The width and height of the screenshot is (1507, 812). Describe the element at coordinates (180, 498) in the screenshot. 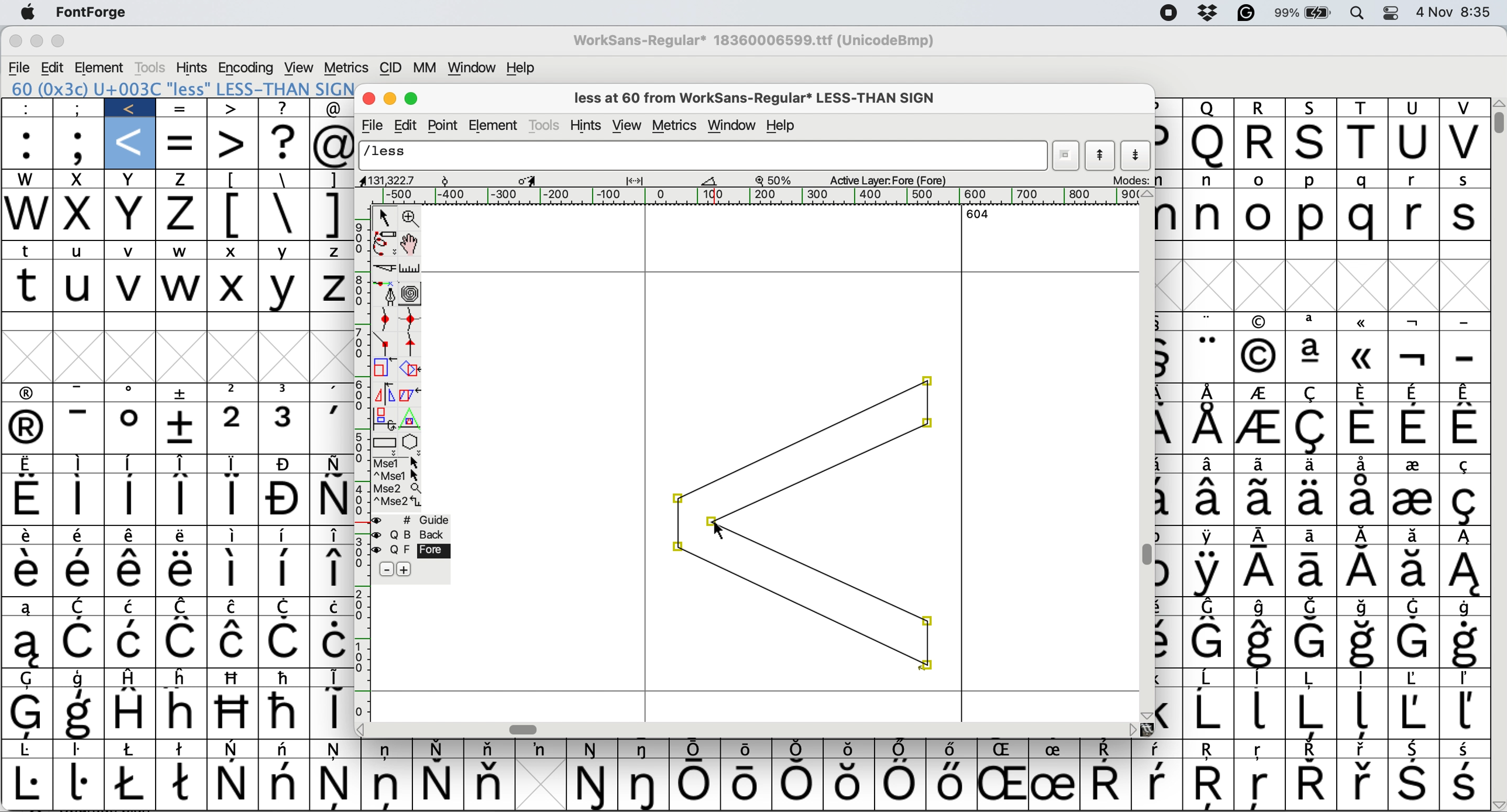

I see `Symbol` at that location.